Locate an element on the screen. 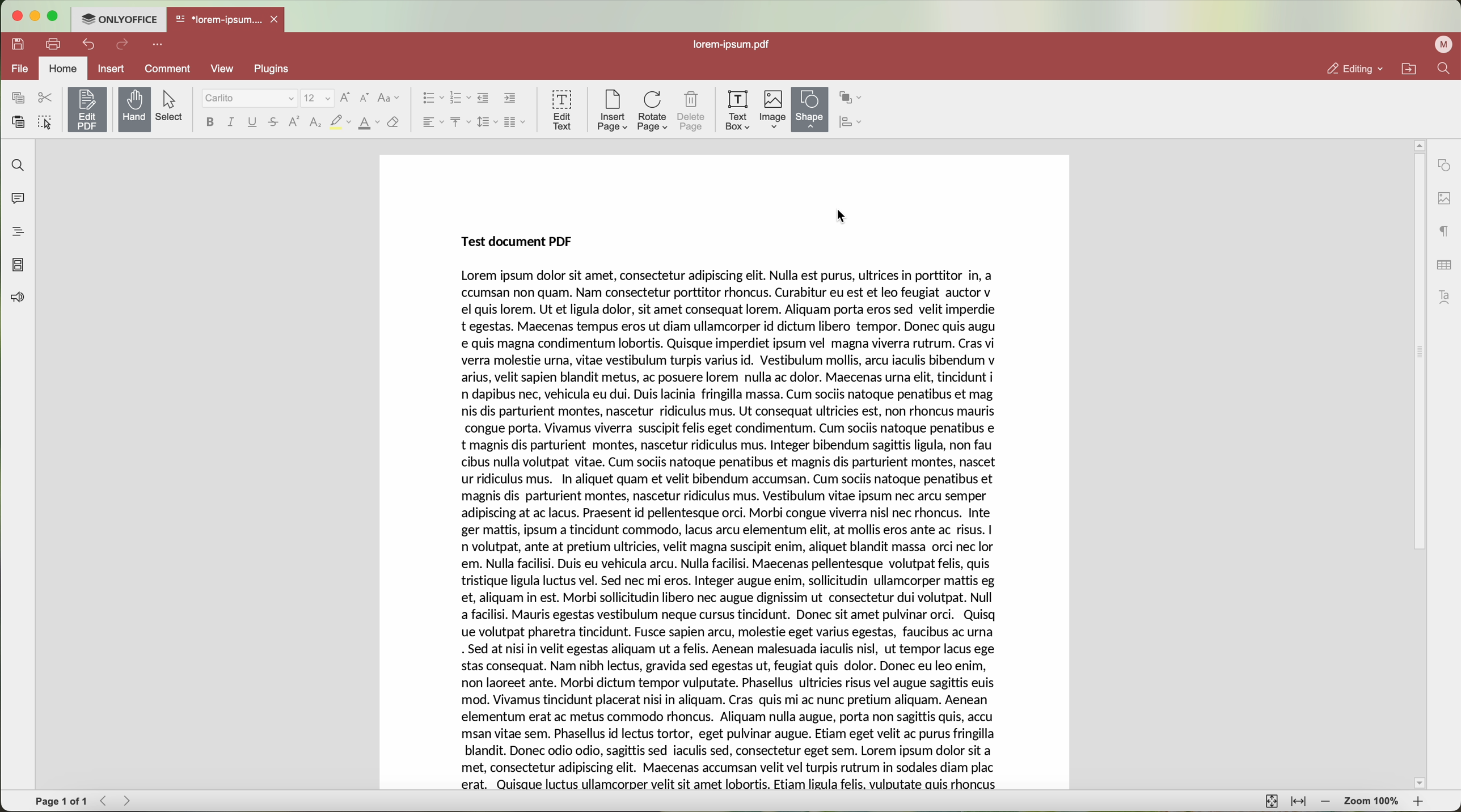  insert columns is located at coordinates (516, 122).